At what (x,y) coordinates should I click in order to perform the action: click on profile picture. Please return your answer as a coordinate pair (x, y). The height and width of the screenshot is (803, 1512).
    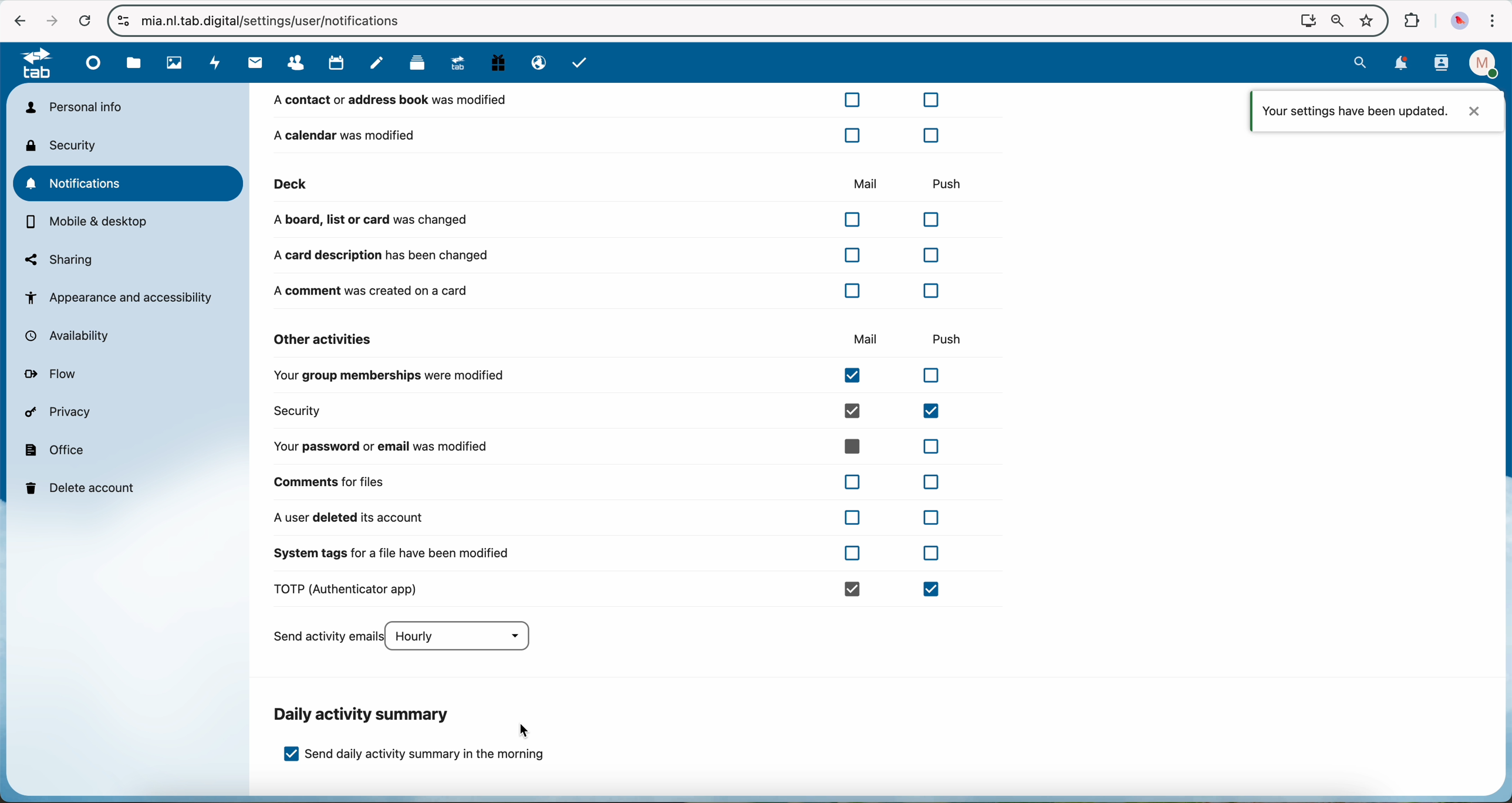
    Looking at the image, I should click on (1460, 20).